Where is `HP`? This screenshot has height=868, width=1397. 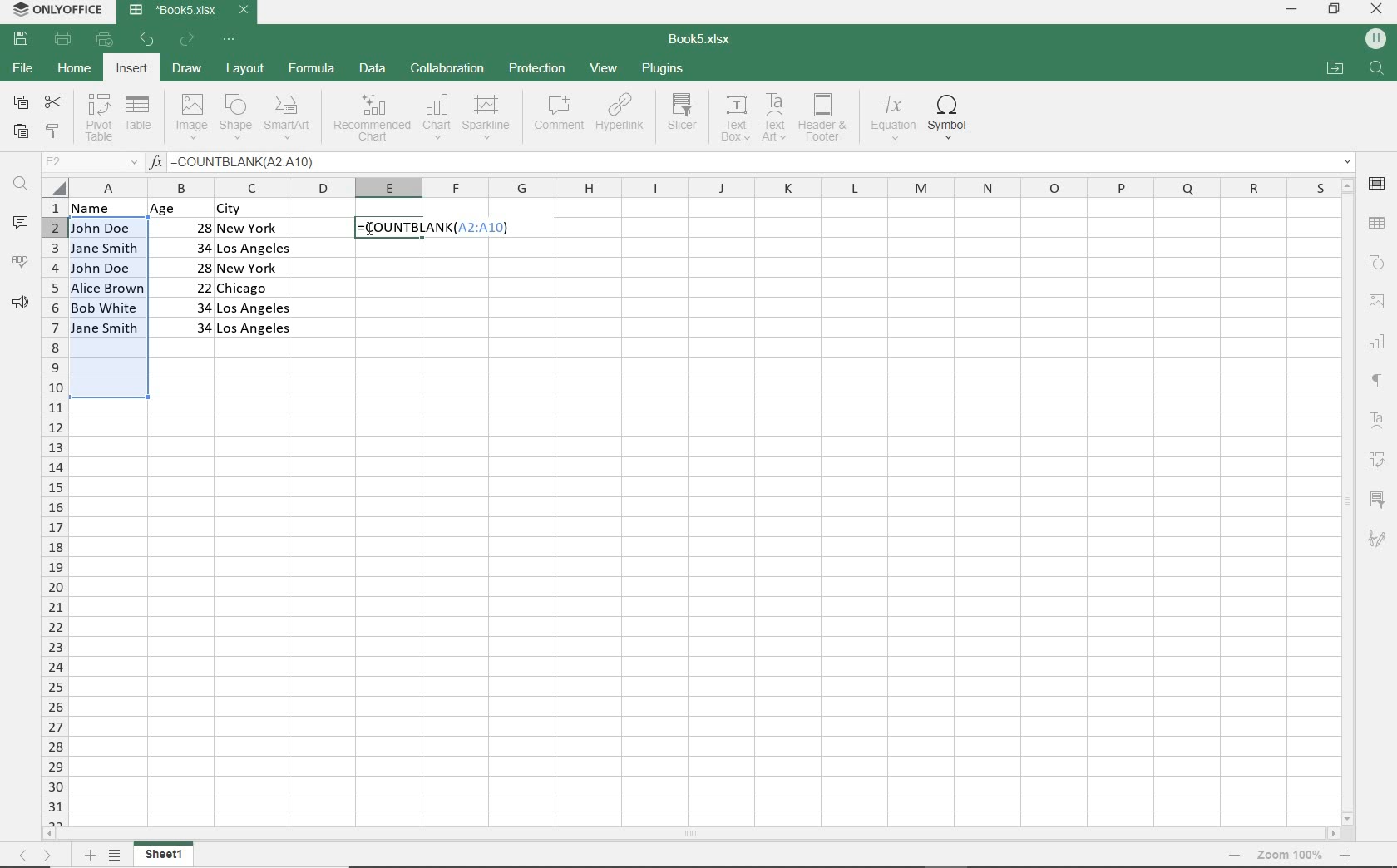 HP is located at coordinates (1379, 36).